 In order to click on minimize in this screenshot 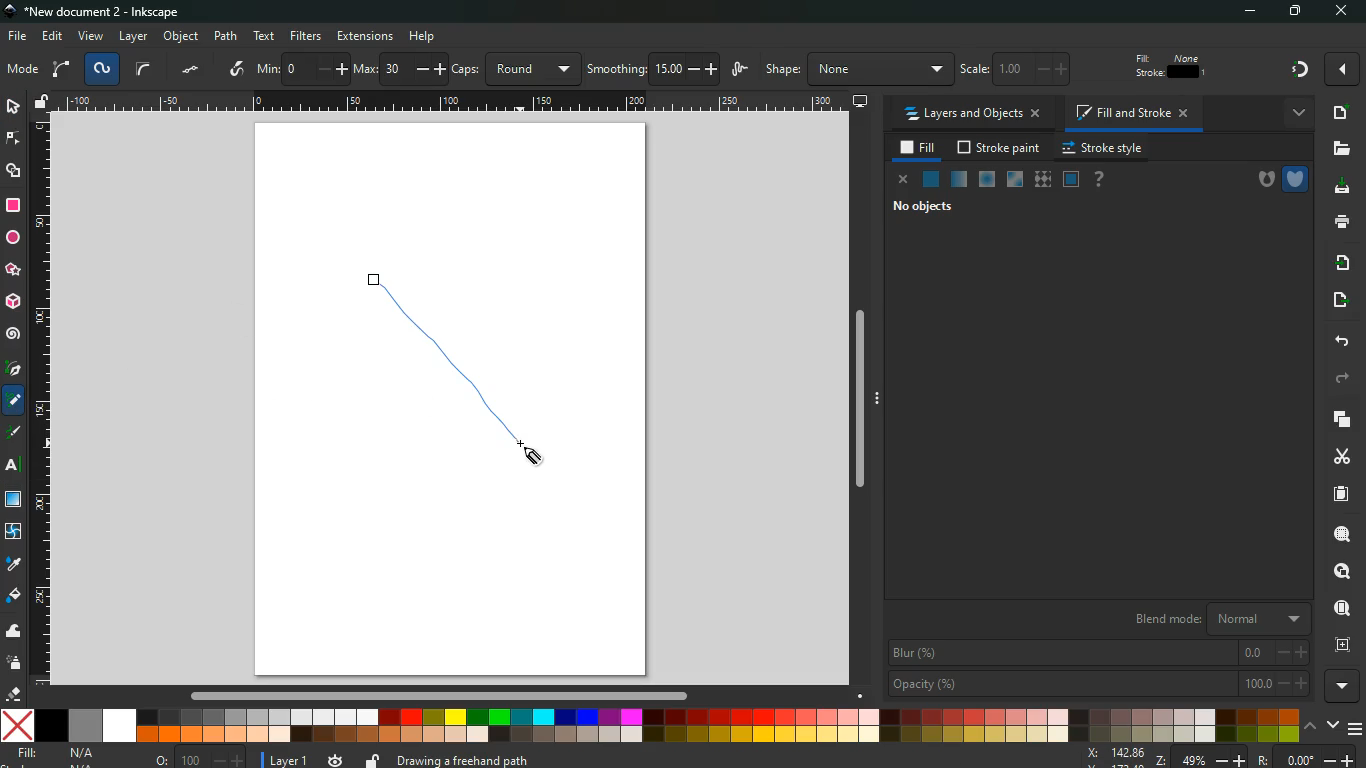, I will do `click(1243, 12)`.